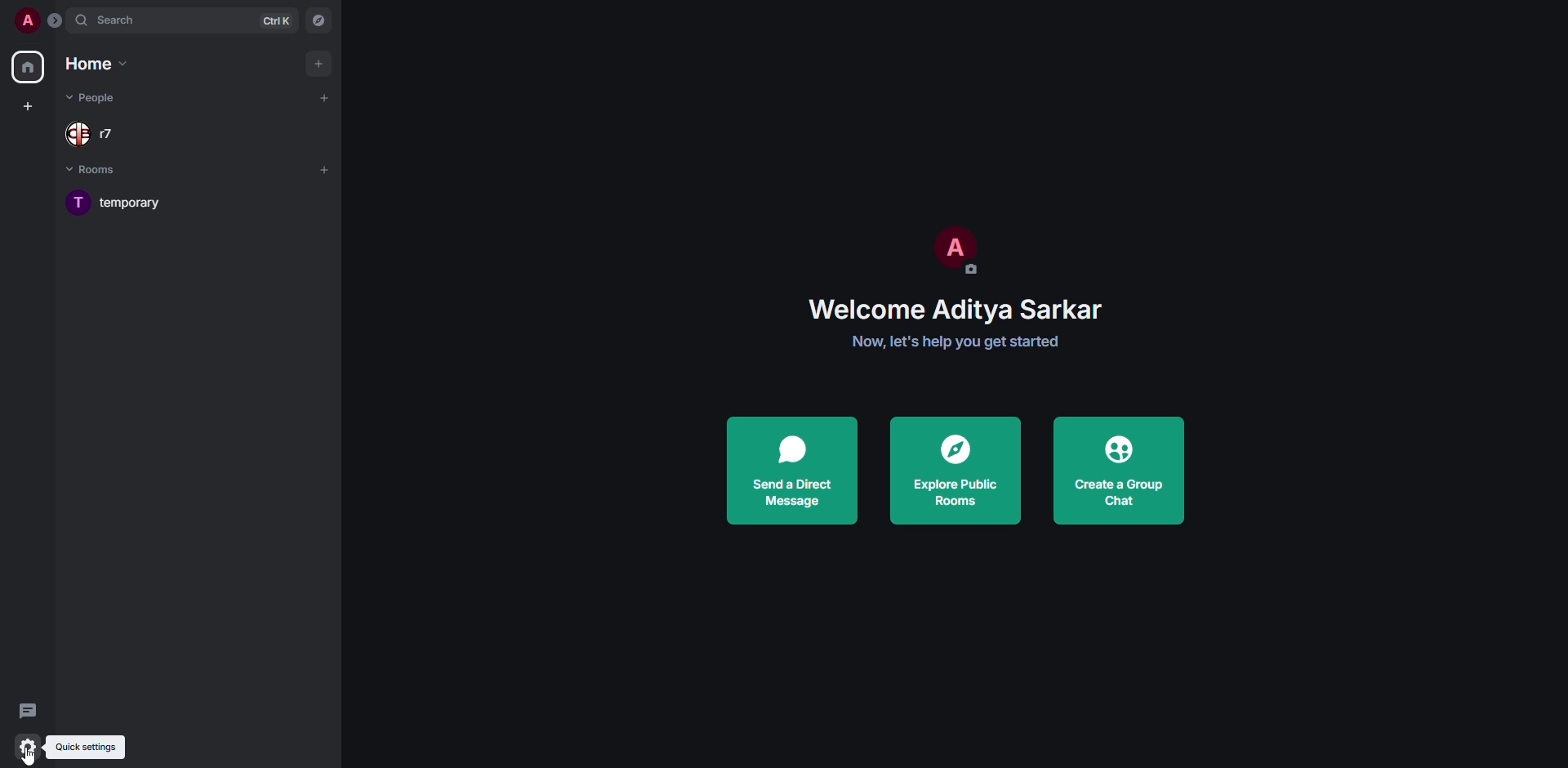  I want to click on rooms, so click(100, 171).